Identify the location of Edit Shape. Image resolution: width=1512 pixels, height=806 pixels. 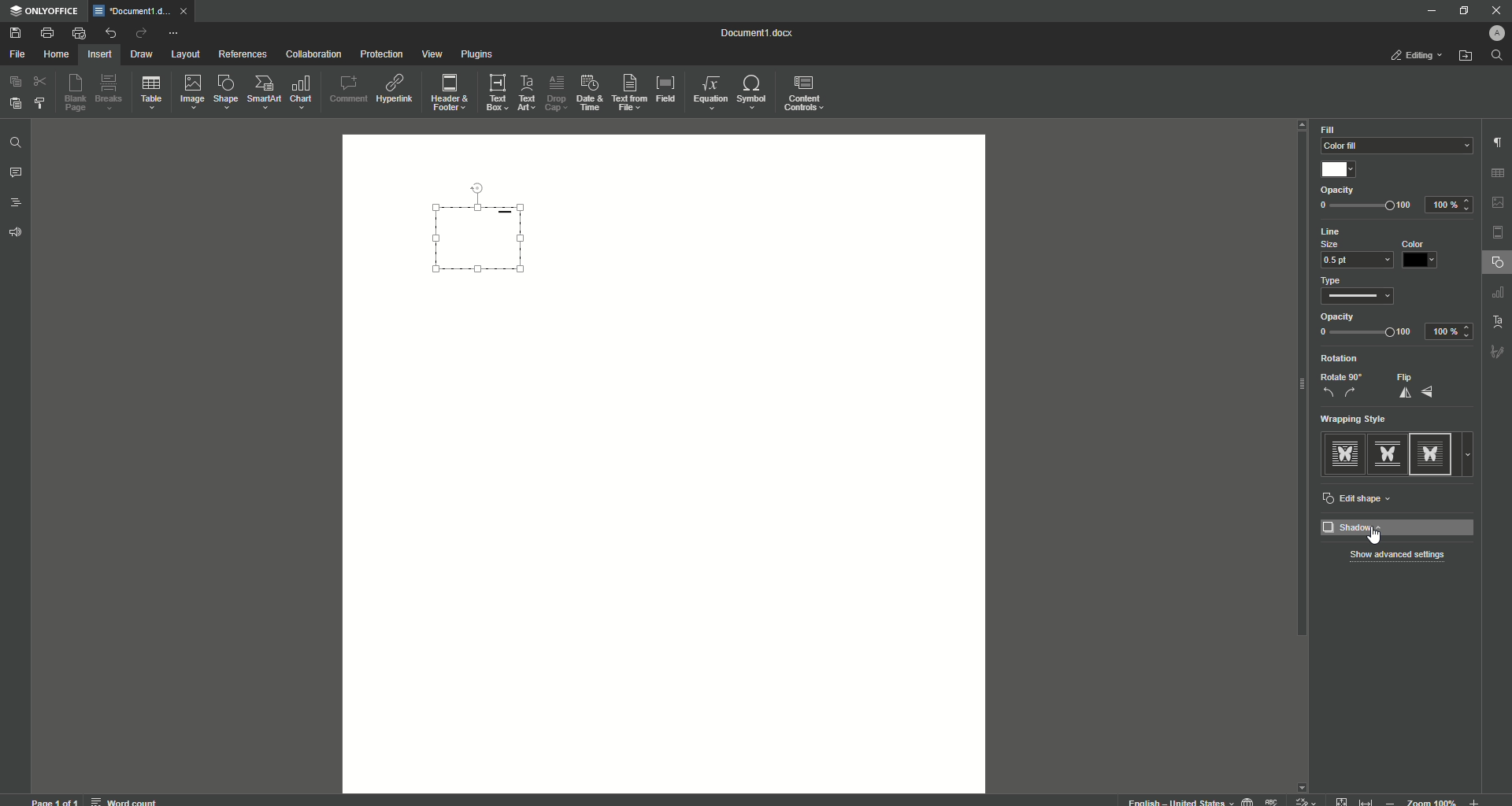
(1360, 499).